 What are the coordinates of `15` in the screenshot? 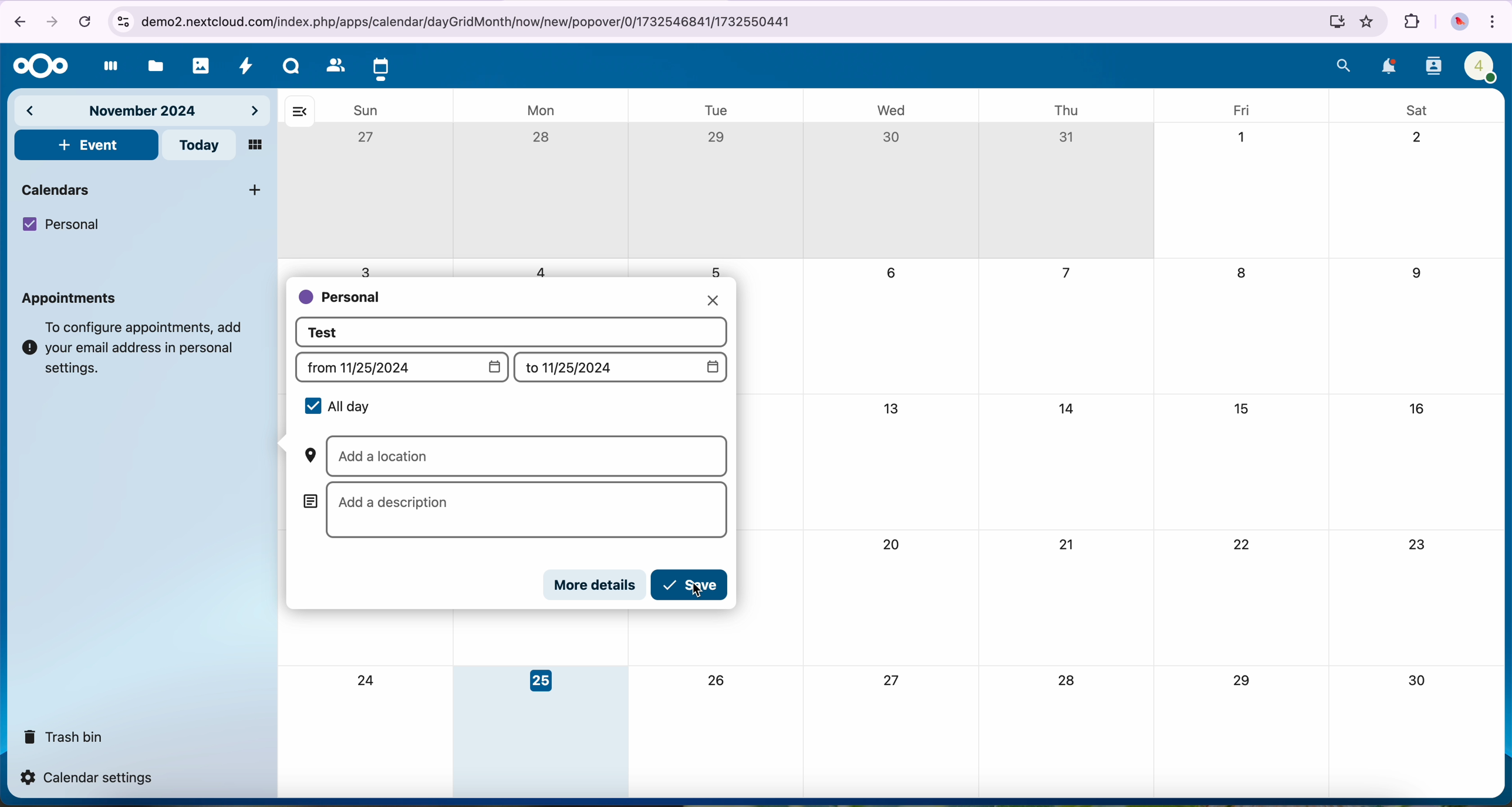 It's located at (1244, 411).